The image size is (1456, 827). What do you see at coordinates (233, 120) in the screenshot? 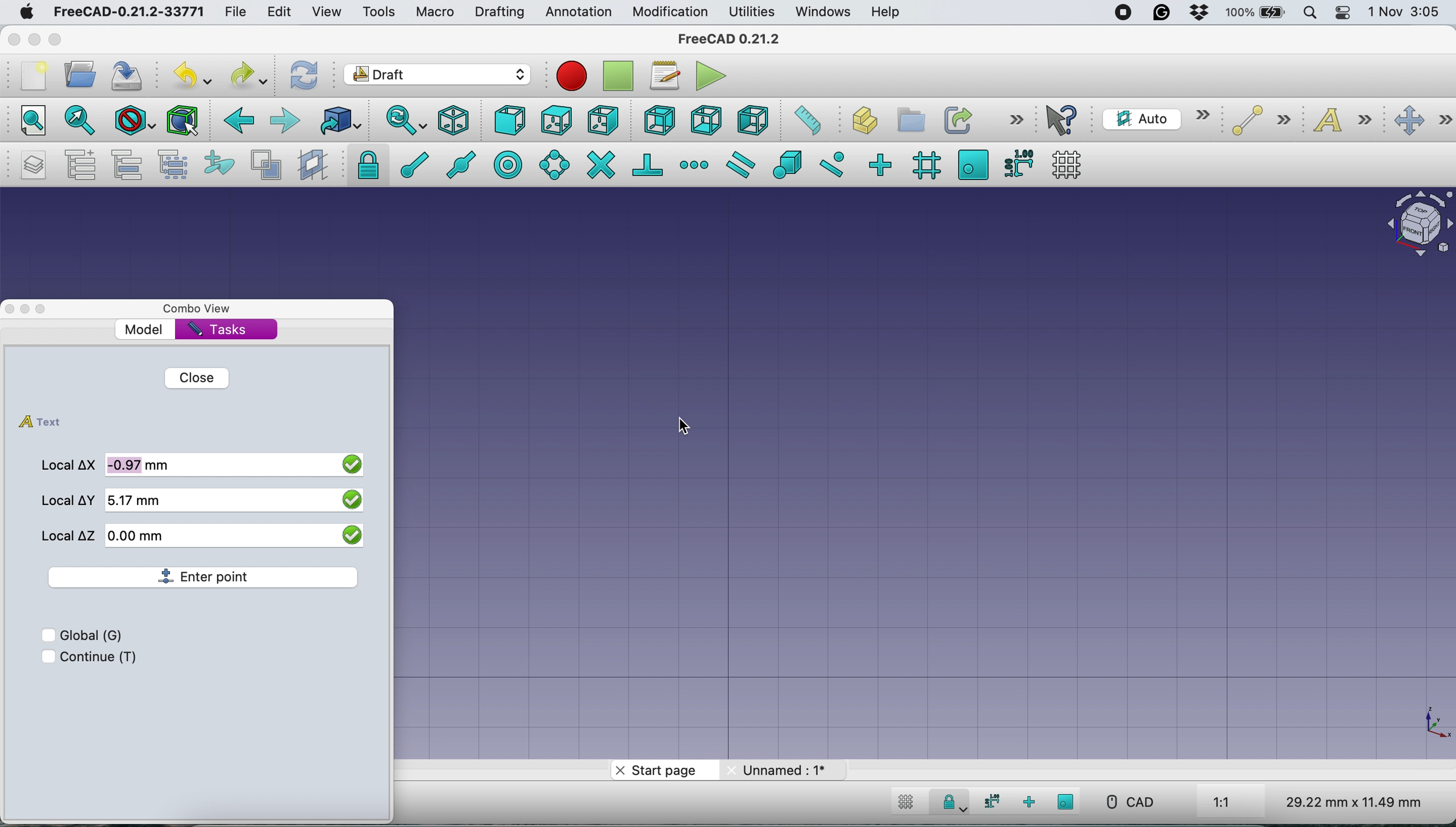
I see `backward` at bounding box center [233, 120].